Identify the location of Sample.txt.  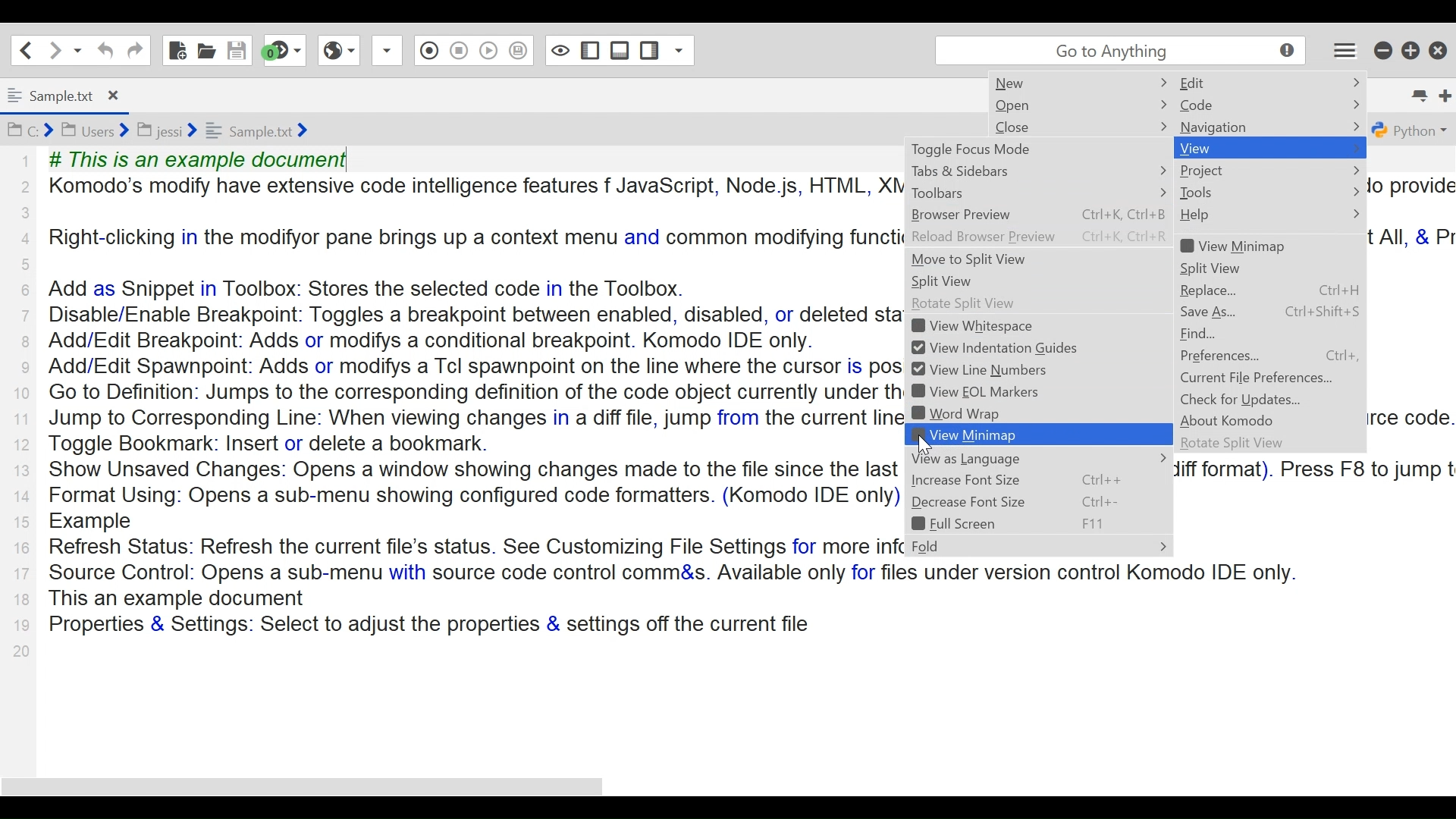
(72, 95).